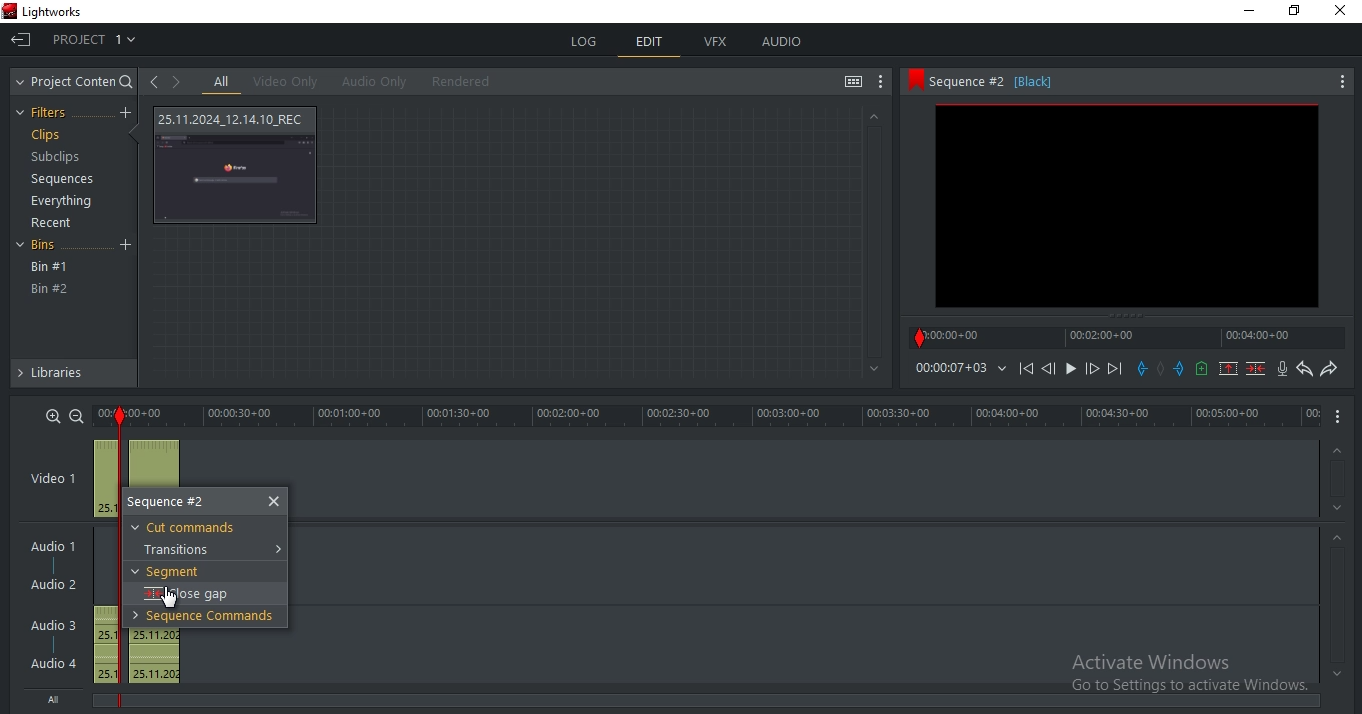 The width and height of the screenshot is (1362, 714). Describe the element at coordinates (1071, 368) in the screenshot. I see `Play` at that location.